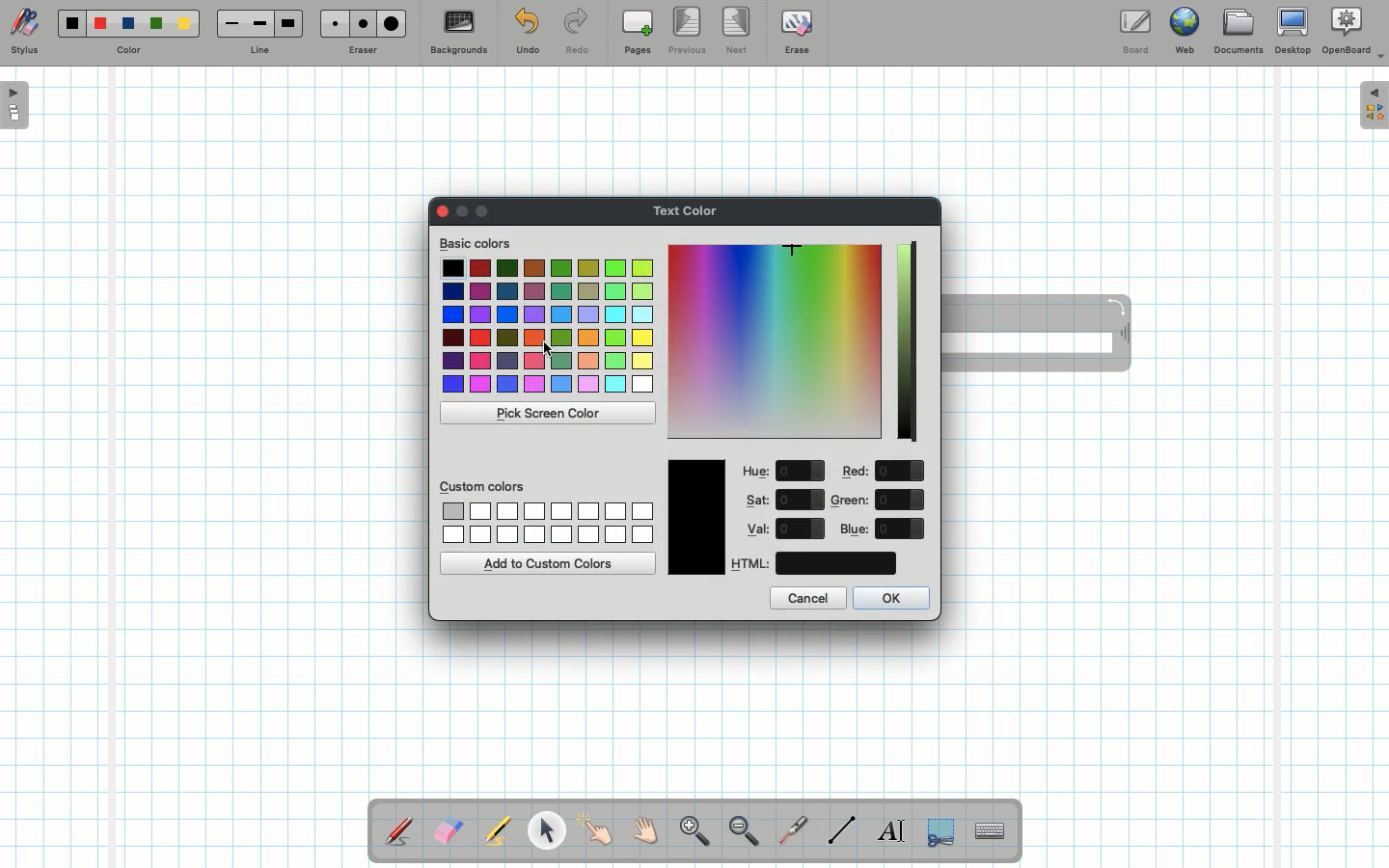 This screenshot has width=1389, height=868. What do you see at coordinates (688, 207) in the screenshot?
I see `Text color` at bounding box center [688, 207].